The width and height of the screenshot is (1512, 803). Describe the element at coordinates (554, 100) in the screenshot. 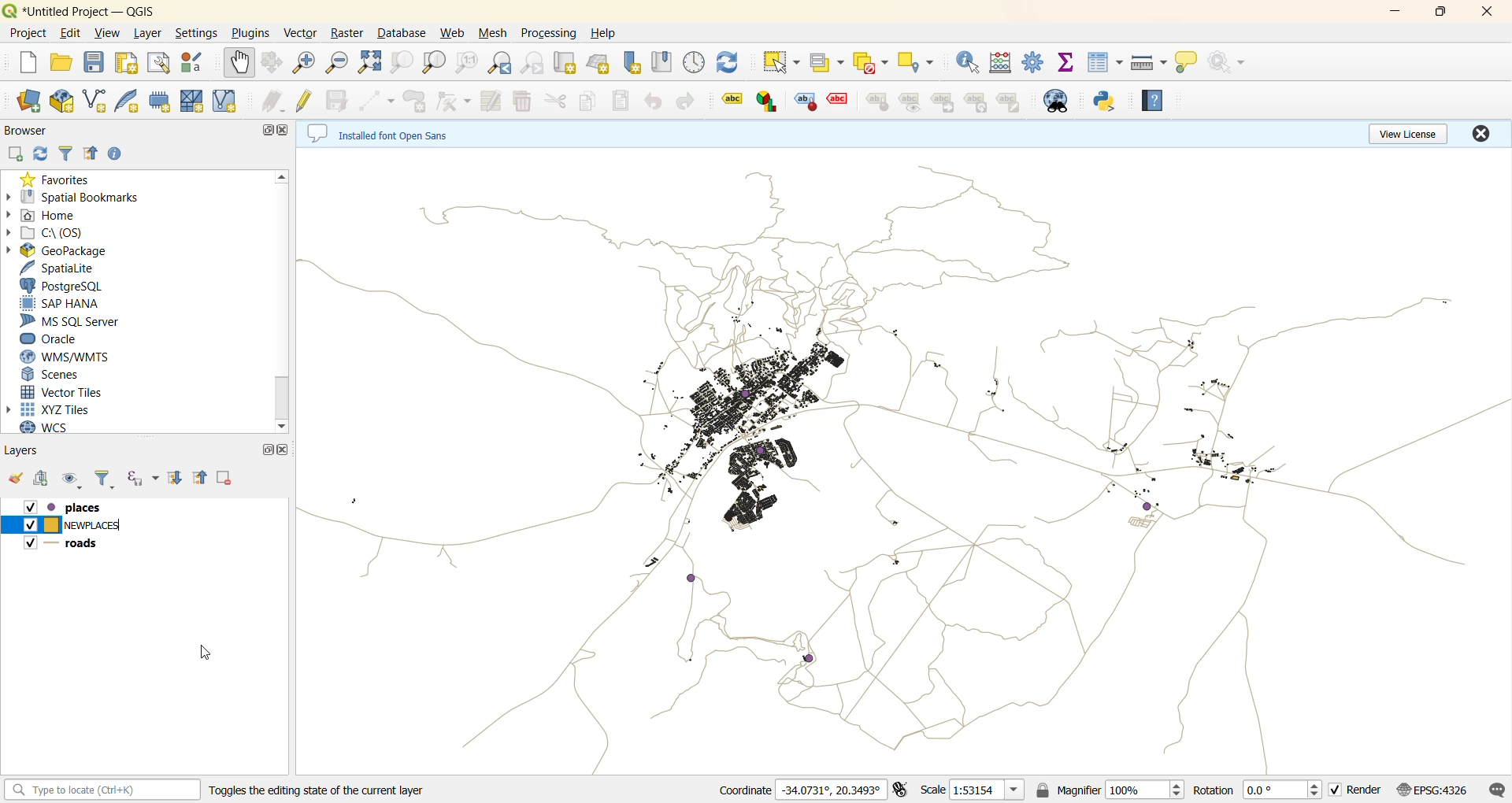

I see `cut` at that location.